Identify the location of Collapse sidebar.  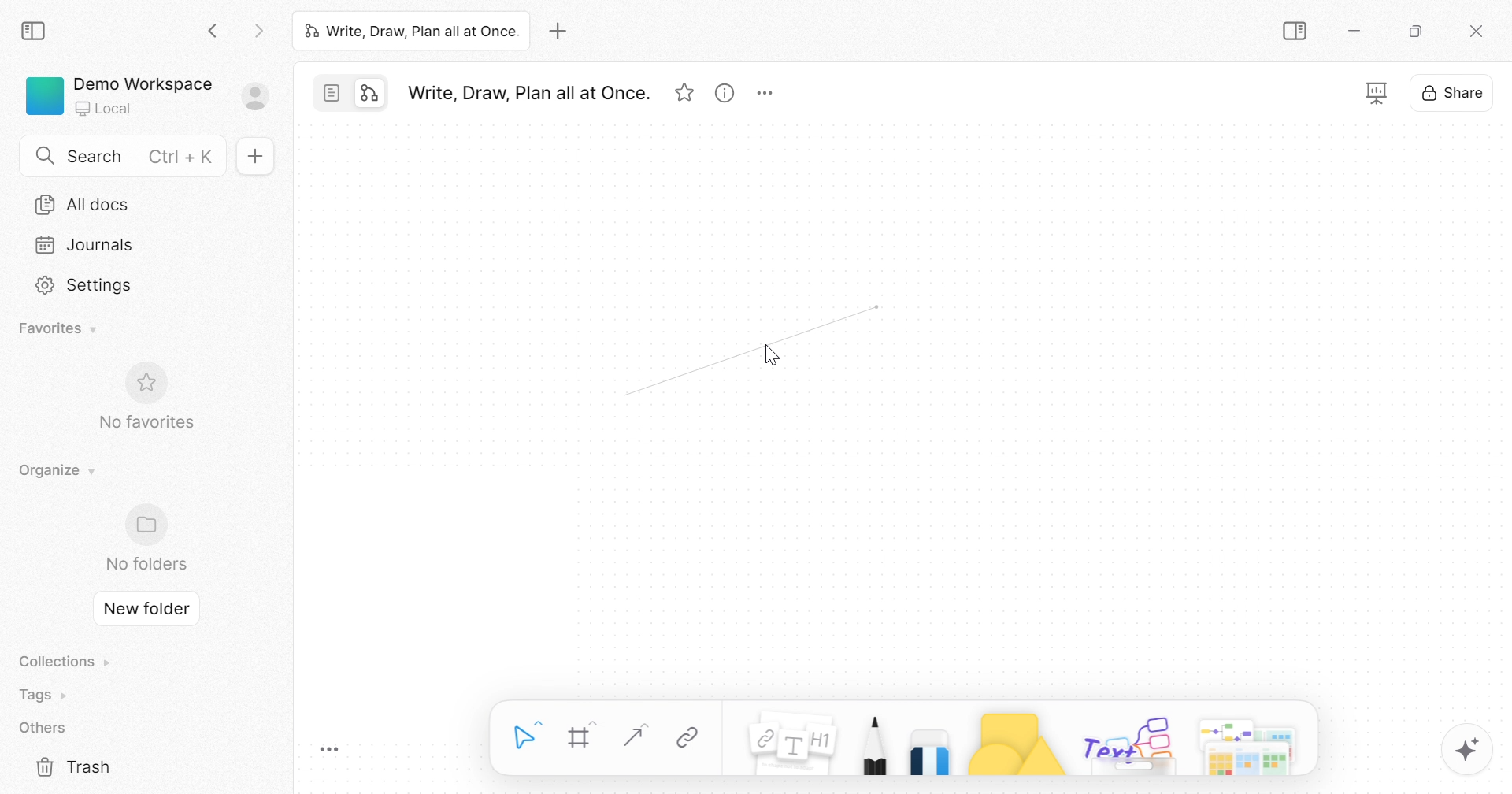
(1298, 32).